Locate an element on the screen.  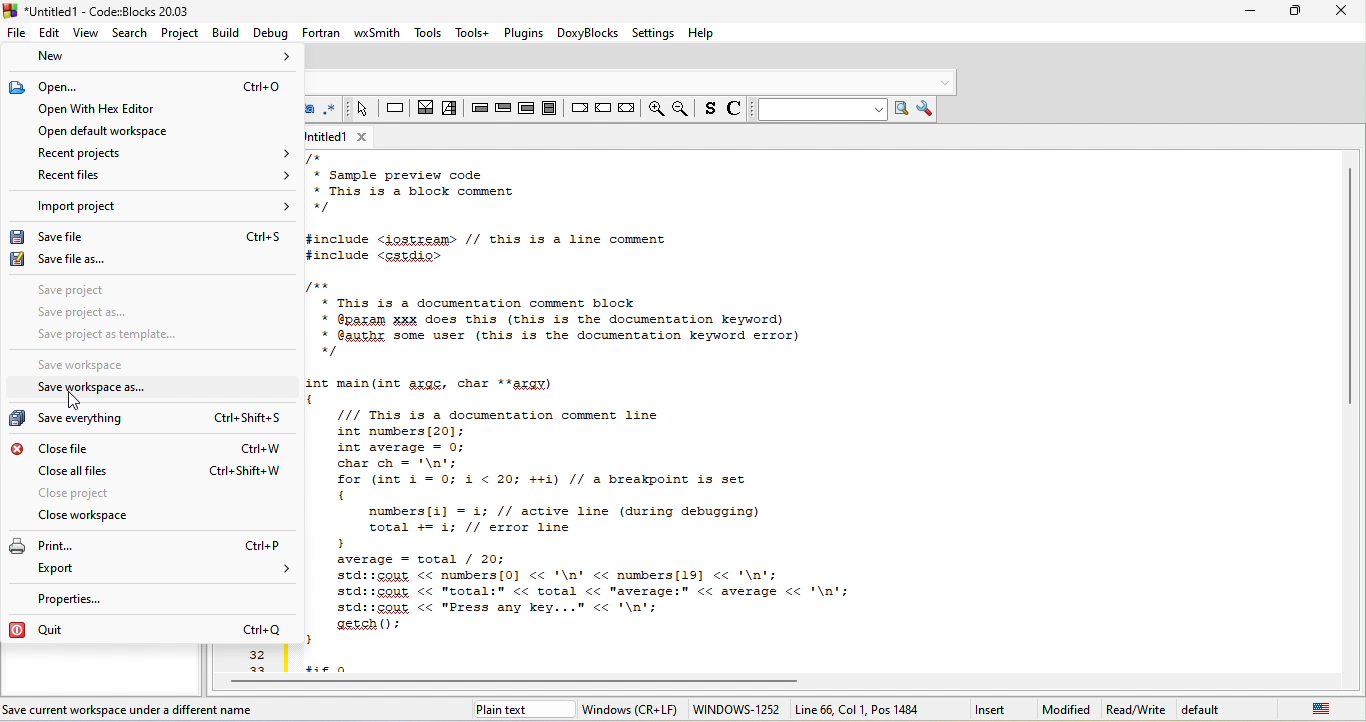
vertical scroll bar is located at coordinates (1350, 285).